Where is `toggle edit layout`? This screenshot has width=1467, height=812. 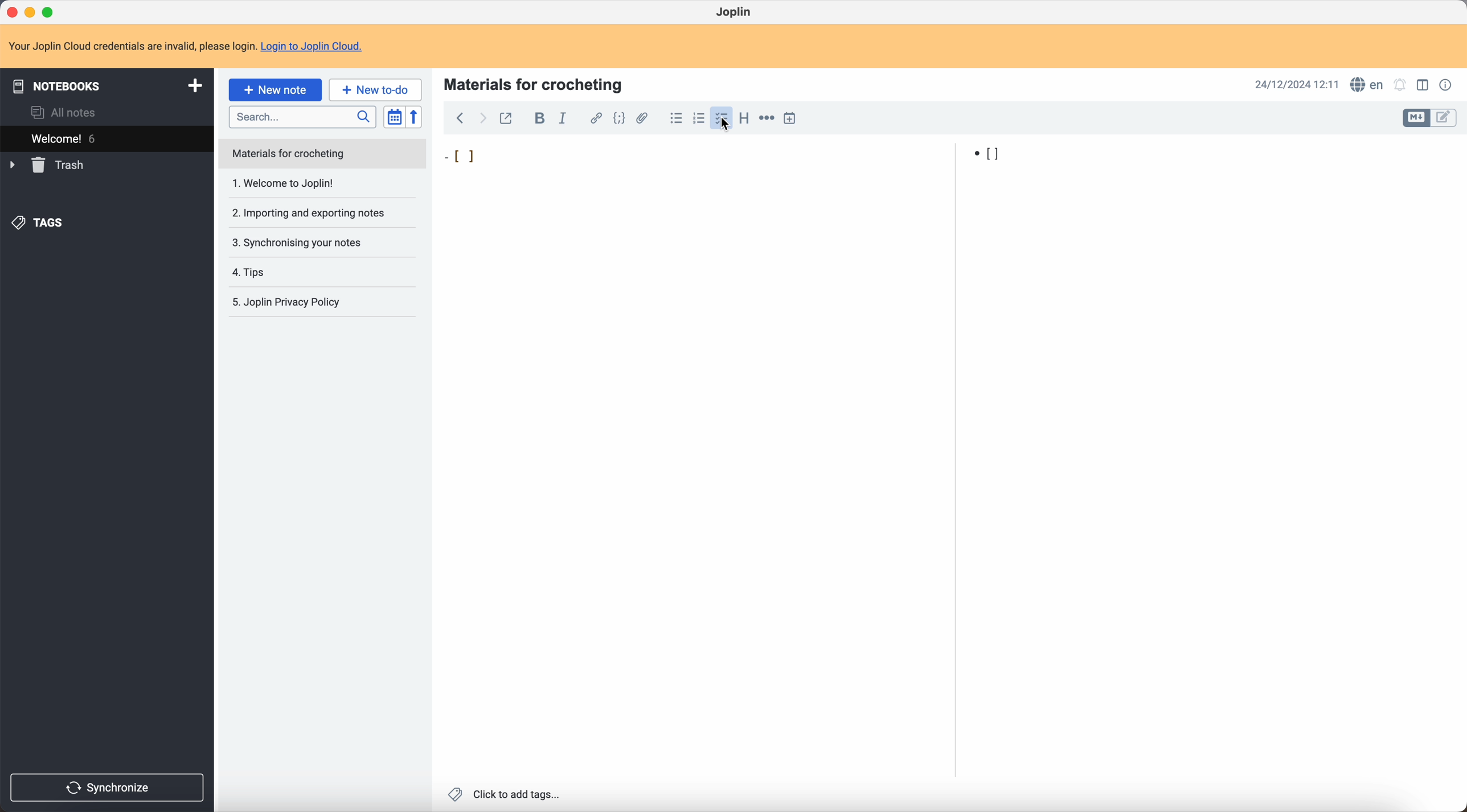 toggle edit layout is located at coordinates (1424, 84).